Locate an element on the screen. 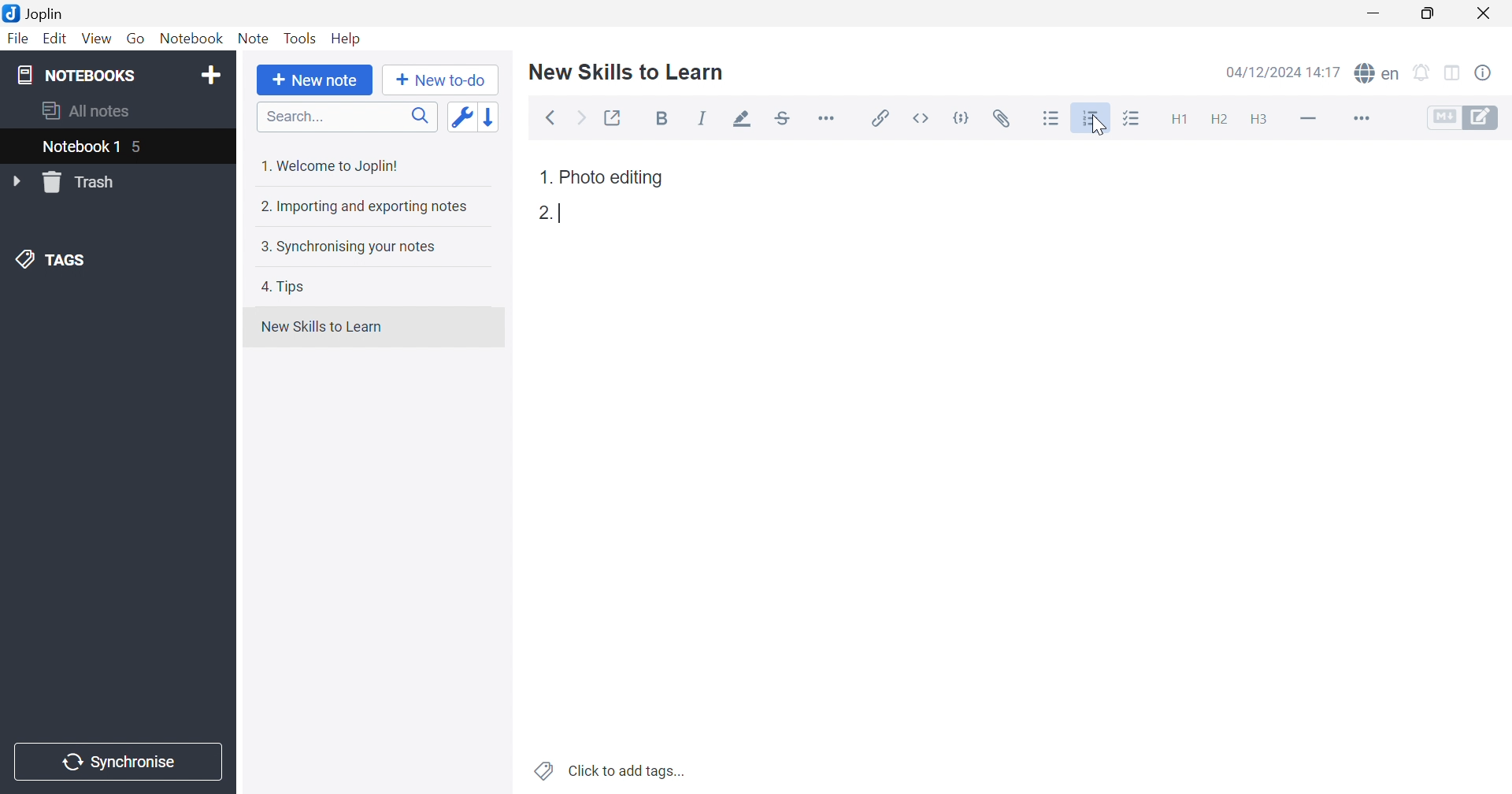  Photo editing is located at coordinates (612, 177).